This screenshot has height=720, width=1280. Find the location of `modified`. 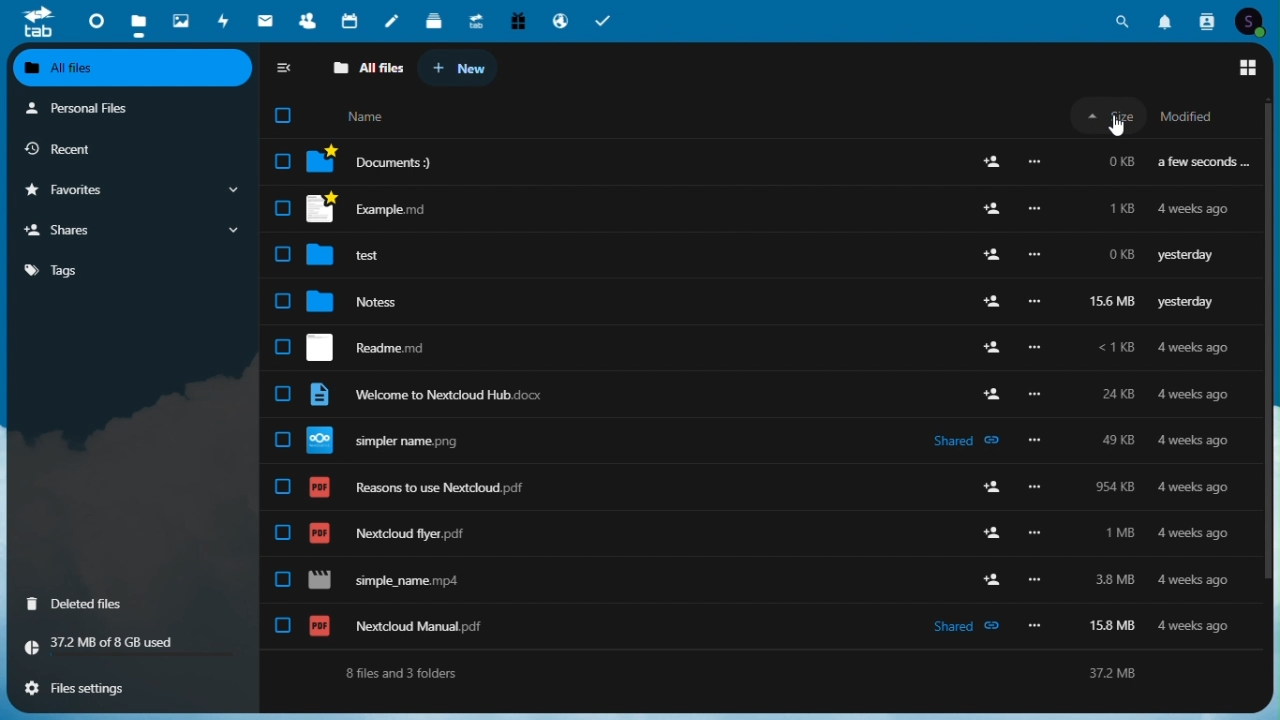

modified is located at coordinates (1199, 115).